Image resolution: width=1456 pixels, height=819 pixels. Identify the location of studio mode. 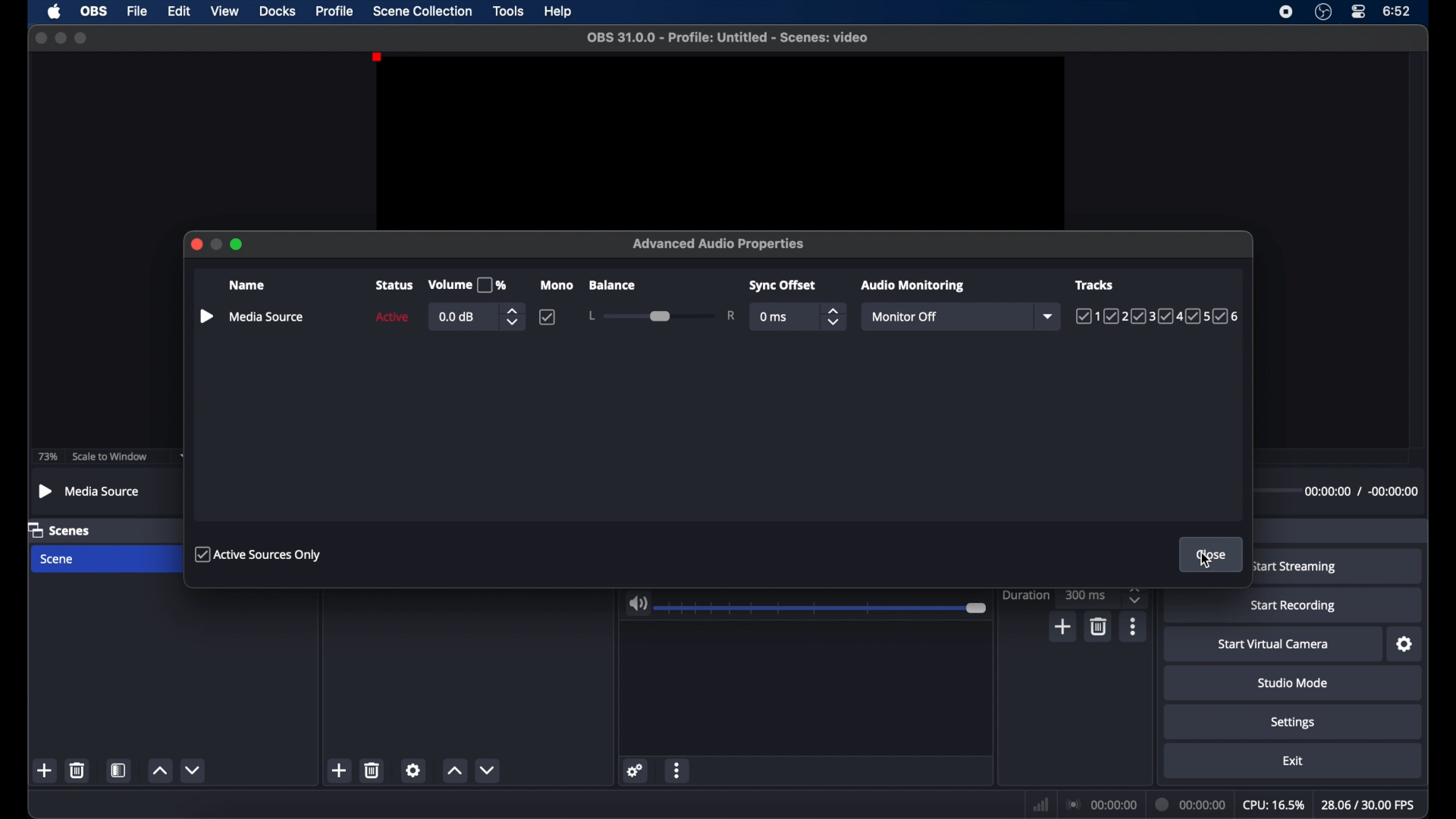
(1292, 683).